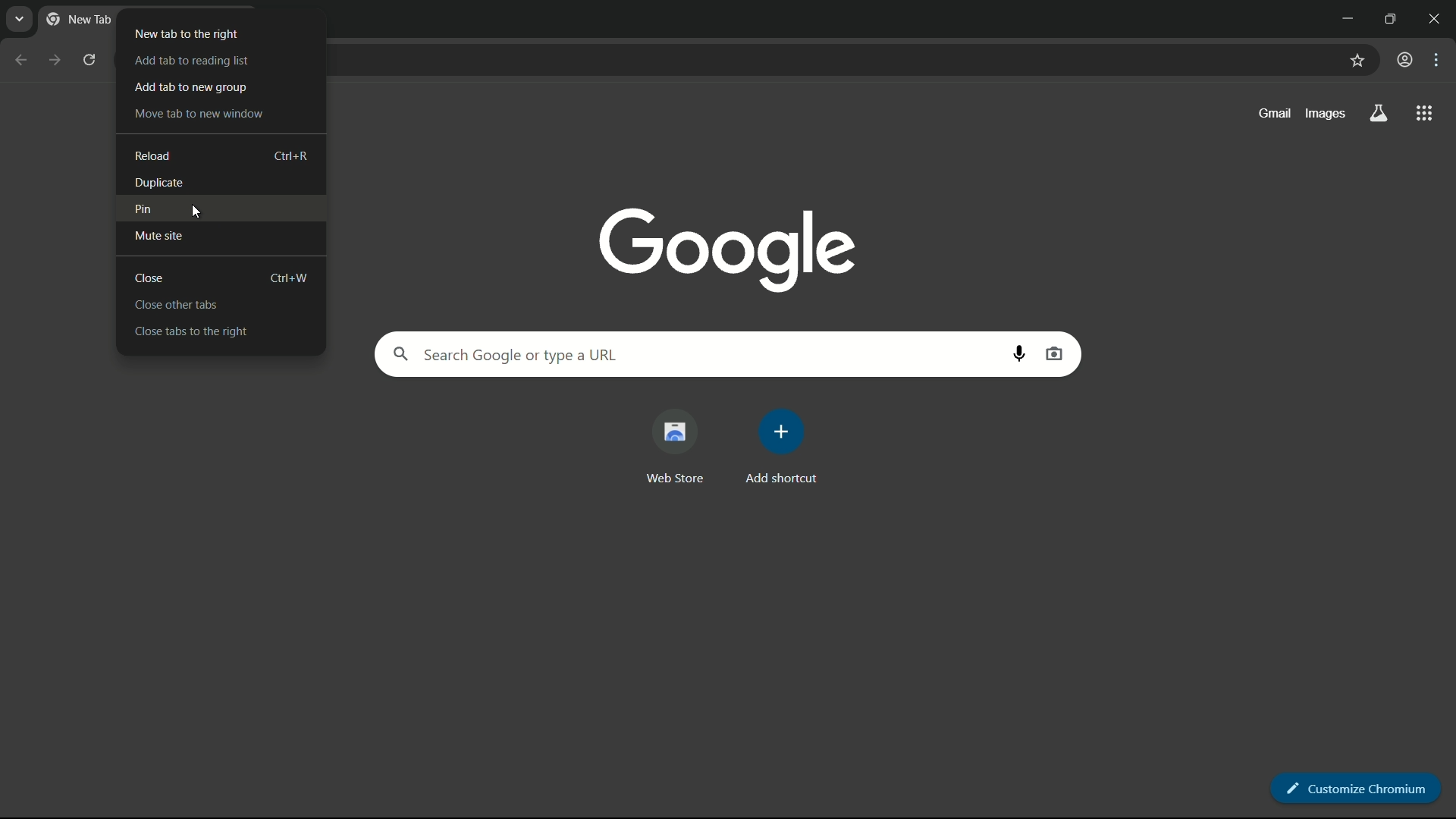 The width and height of the screenshot is (1456, 819). What do you see at coordinates (153, 155) in the screenshot?
I see `reload` at bounding box center [153, 155].